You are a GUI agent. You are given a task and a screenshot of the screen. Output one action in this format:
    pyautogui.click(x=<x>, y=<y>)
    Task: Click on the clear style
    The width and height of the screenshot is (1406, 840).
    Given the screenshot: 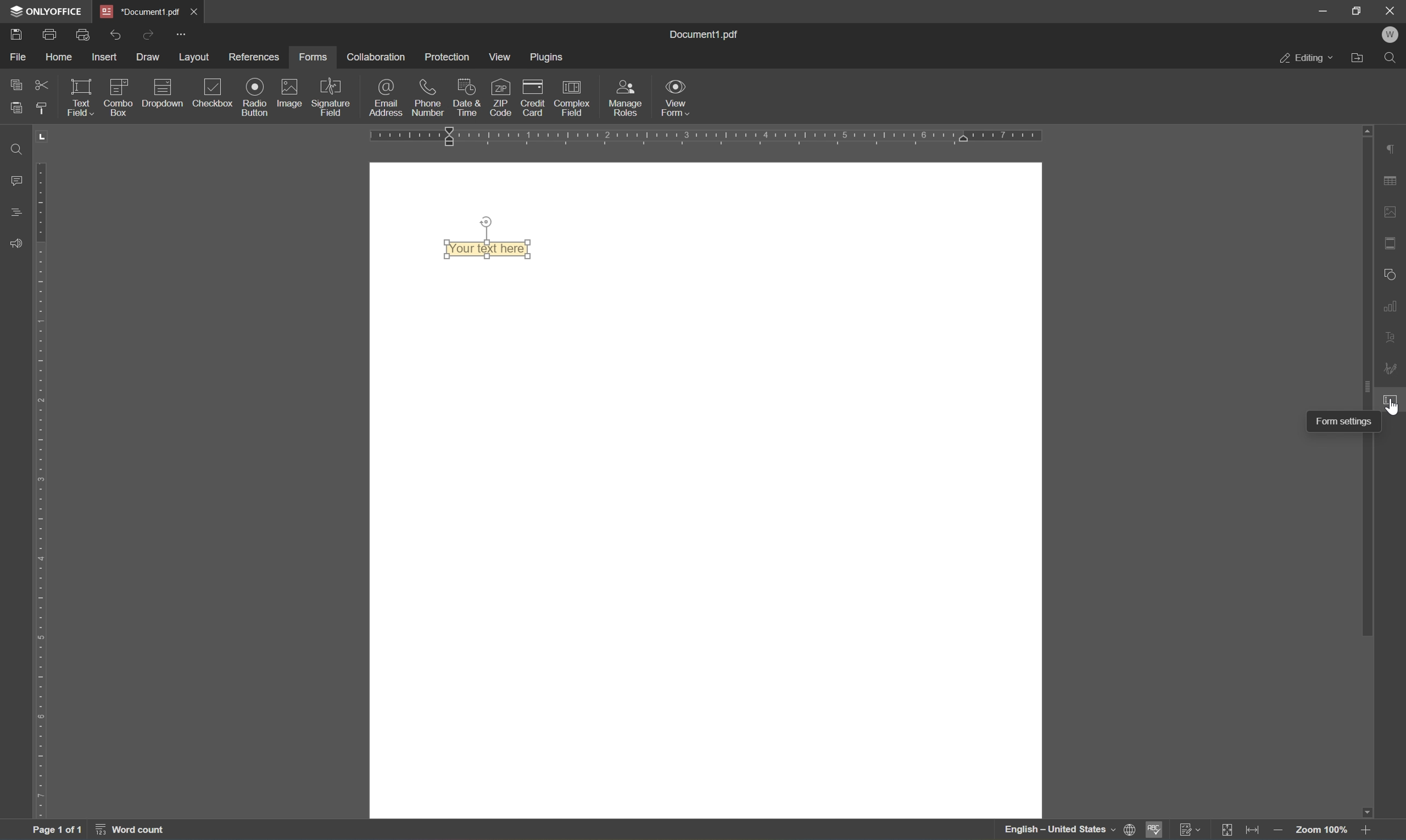 What is the action you would take?
    pyautogui.click(x=43, y=109)
    